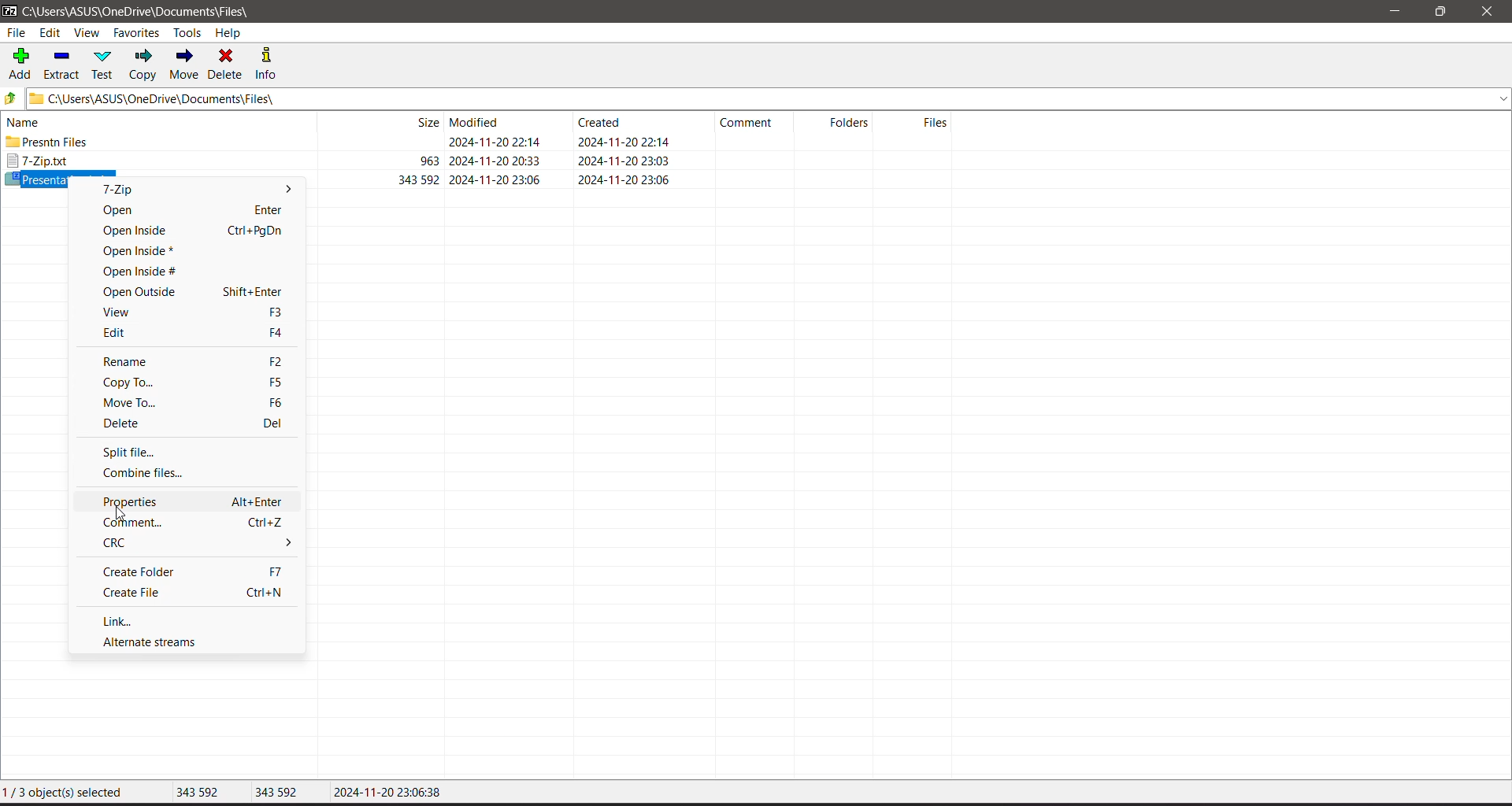 The width and height of the screenshot is (1512, 806). Describe the element at coordinates (156, 642) in the screenshot. I see `Alternate streams` at that location.